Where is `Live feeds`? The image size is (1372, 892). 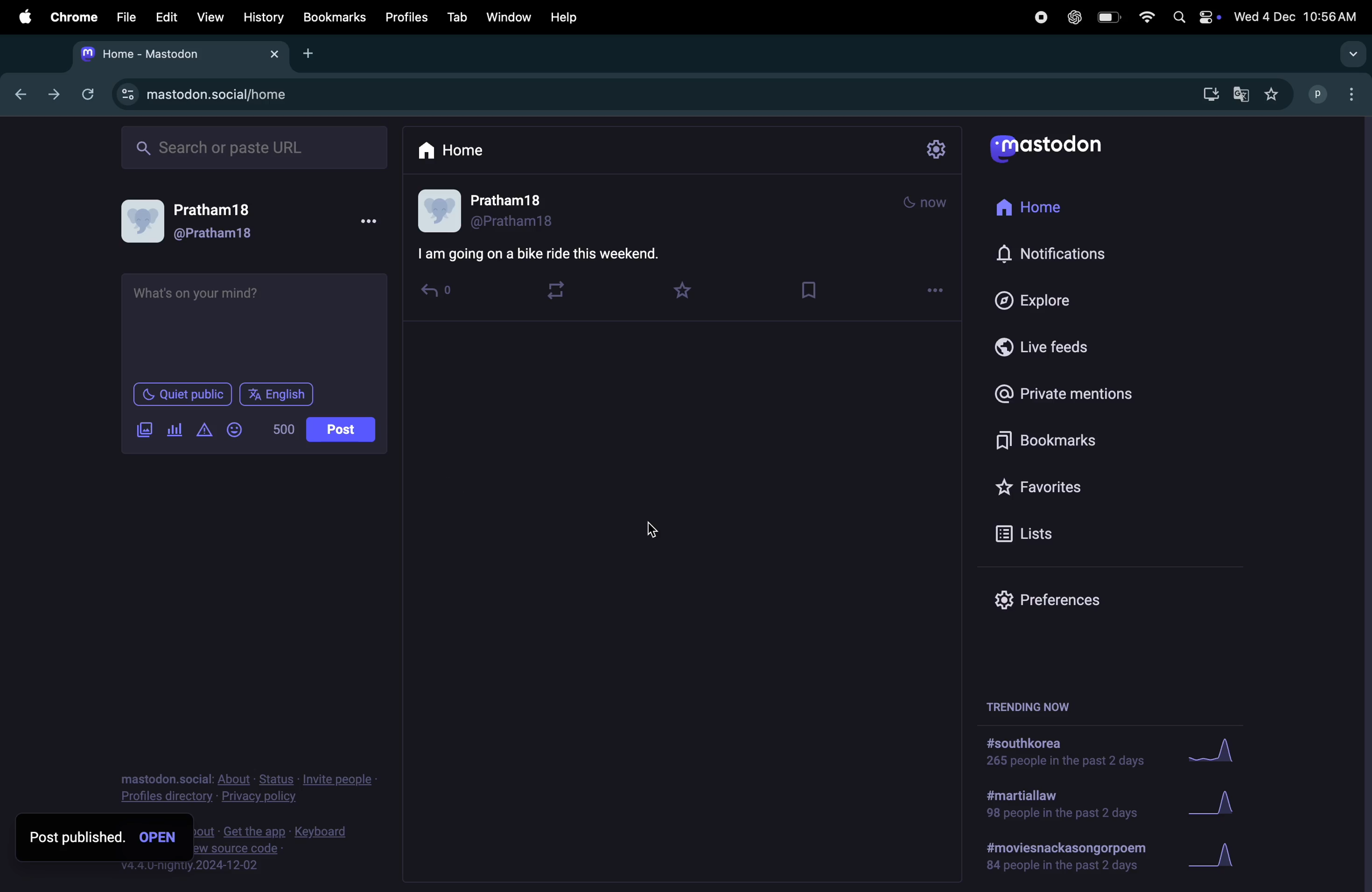 Live feeds is located at coordinates (1053, 345).